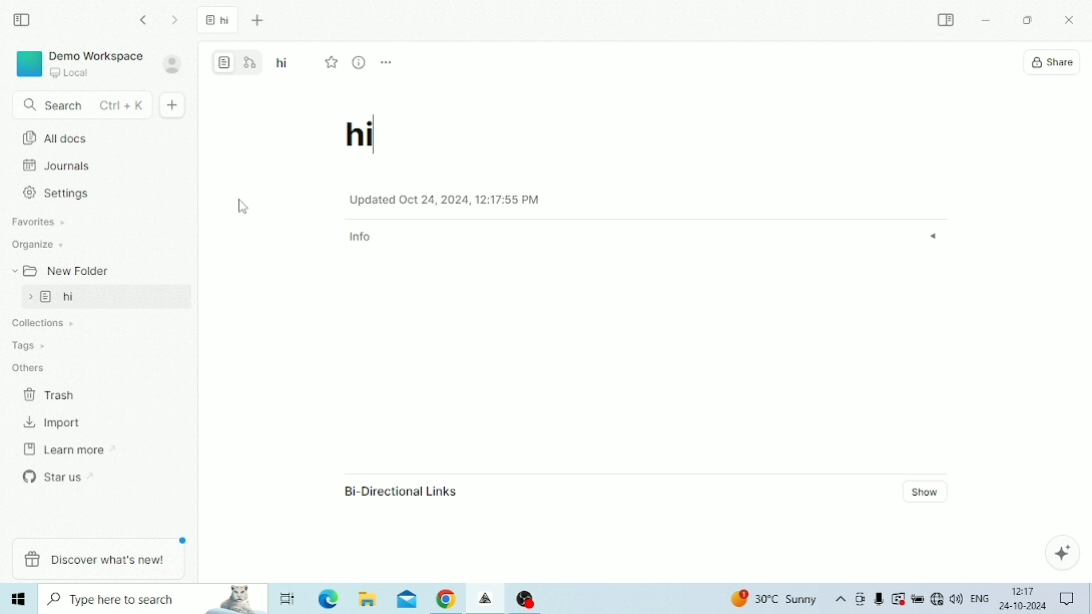 The width and height of the screenshot is (1092, 614). Describe the element at coordinates (59, 269) in the screenshot. I see `New Folder` at that location.